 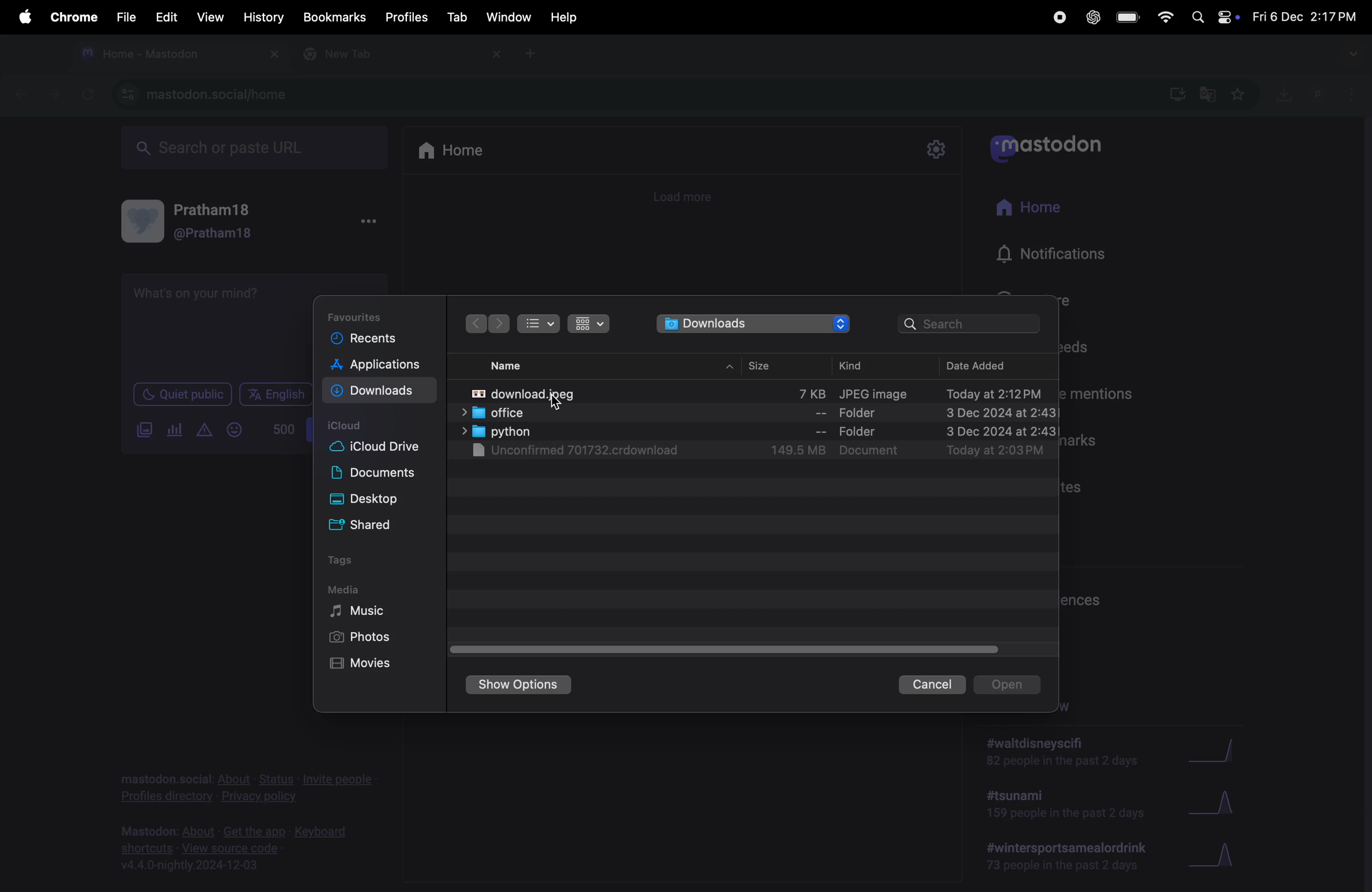 I want to click on history, so click(x=262, y=17).